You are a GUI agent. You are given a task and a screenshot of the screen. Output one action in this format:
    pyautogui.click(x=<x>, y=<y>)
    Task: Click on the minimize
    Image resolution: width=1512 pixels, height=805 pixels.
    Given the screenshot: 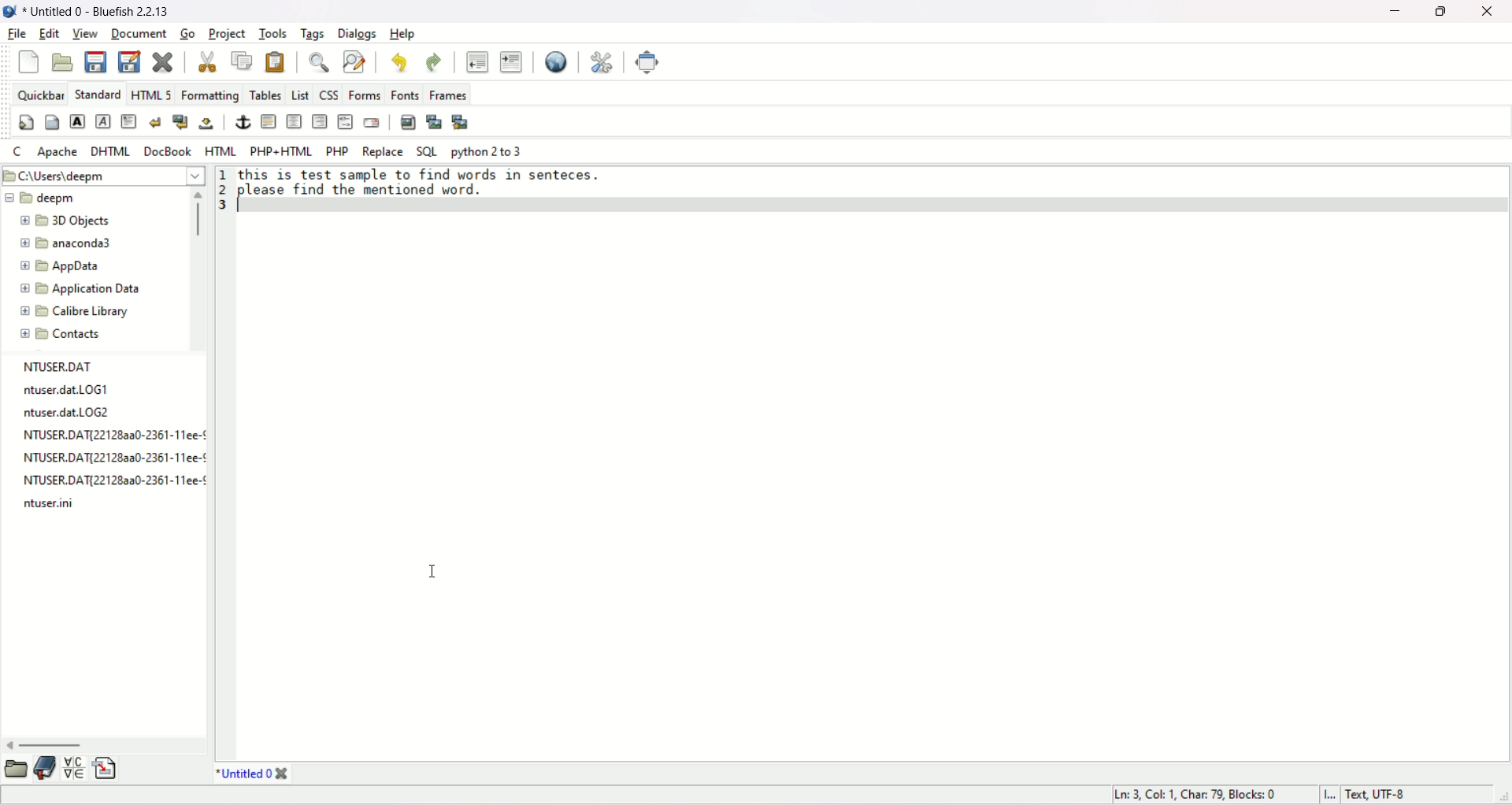 What is the action you would take?
    pyautogui.click(x=1396, y=10)
    